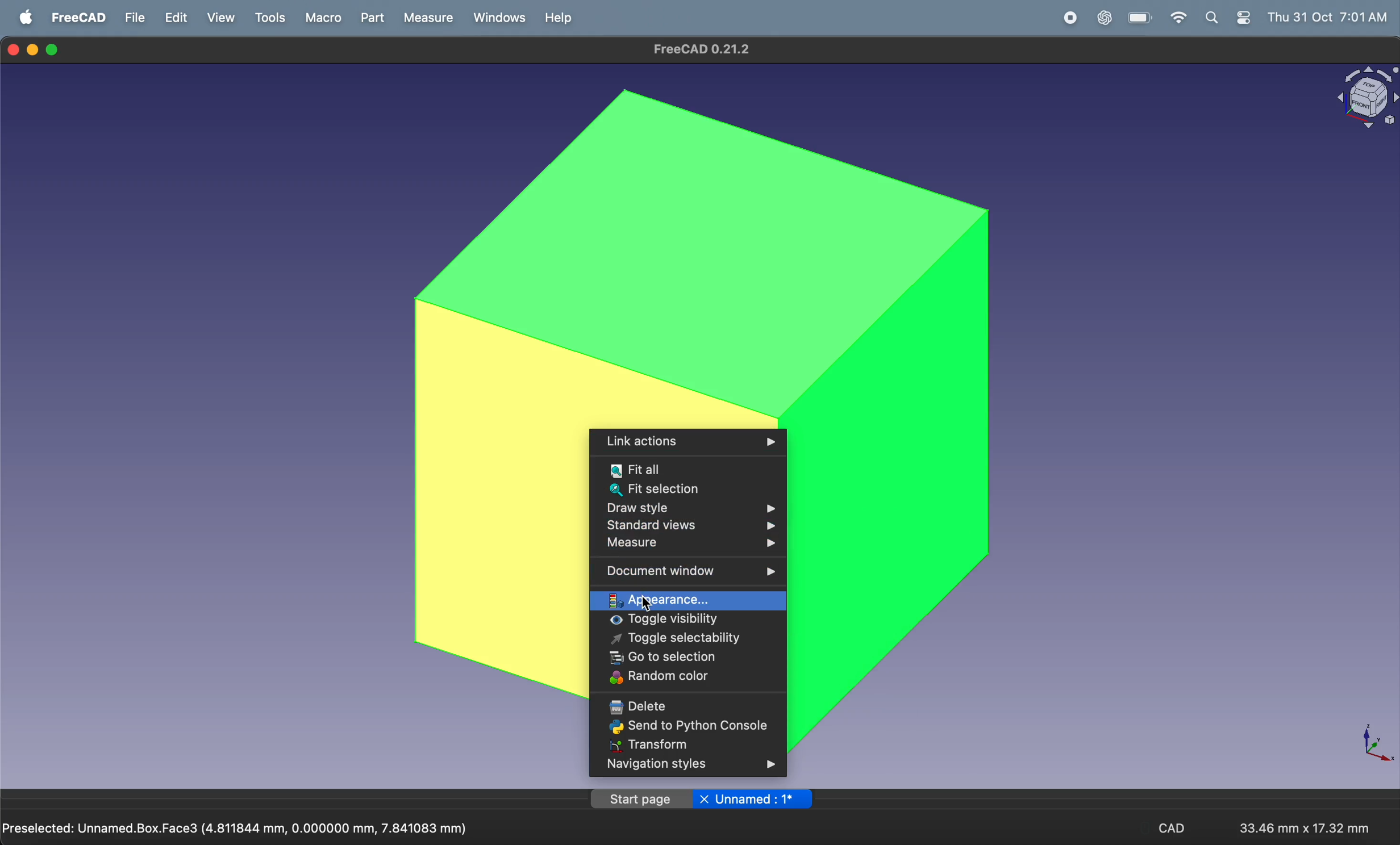 This screenshot has width=1400, height=845. What do you see at coordinates (1370, 742) in the screenshot?
I see `axis` at bounding box center [1370, 742].